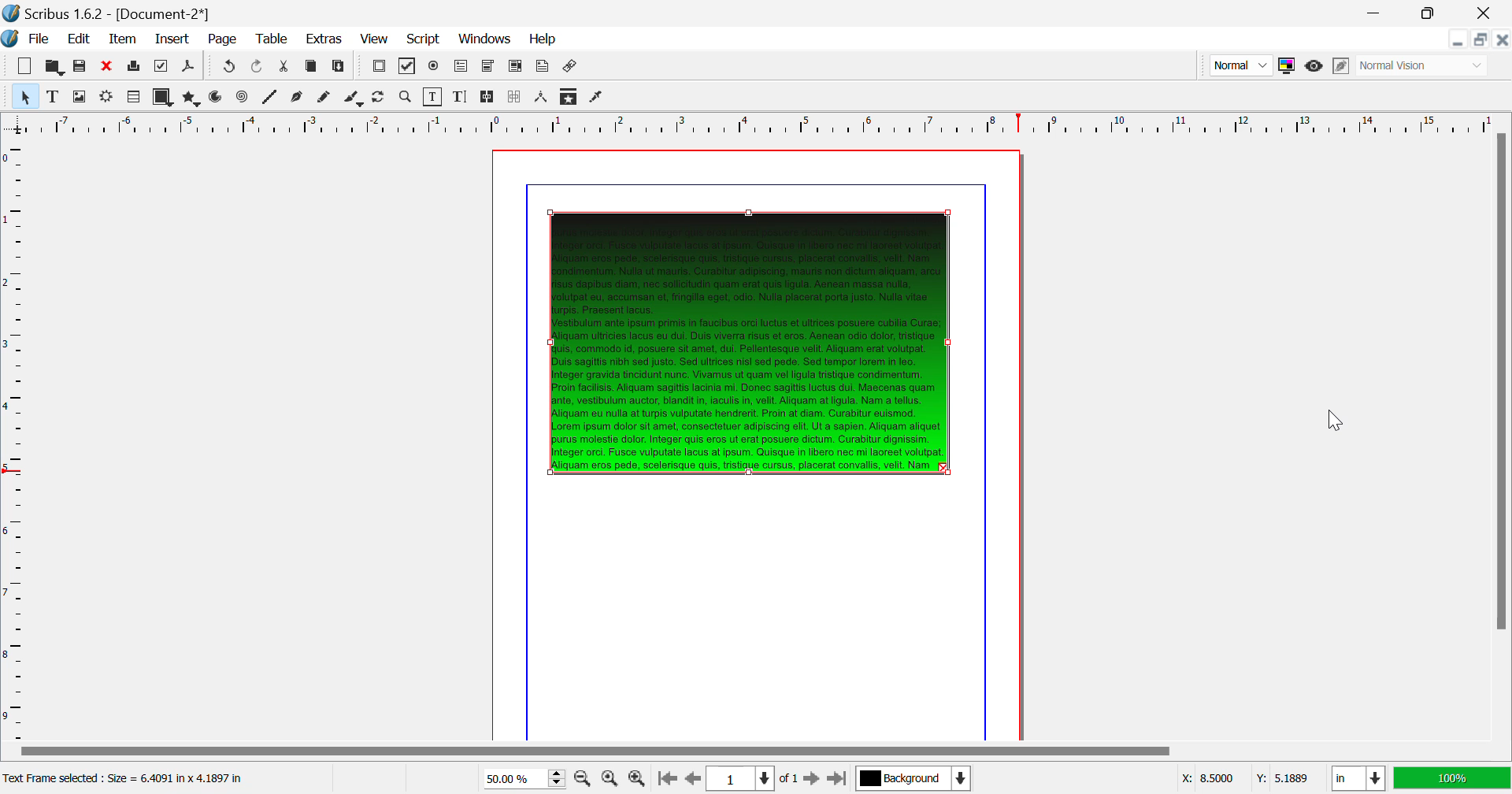 The width and height of the screenshot is (1512, 794). Describe the element at coordinates (382, 98) in the screenshot. I see `Page Rotation` at that location.